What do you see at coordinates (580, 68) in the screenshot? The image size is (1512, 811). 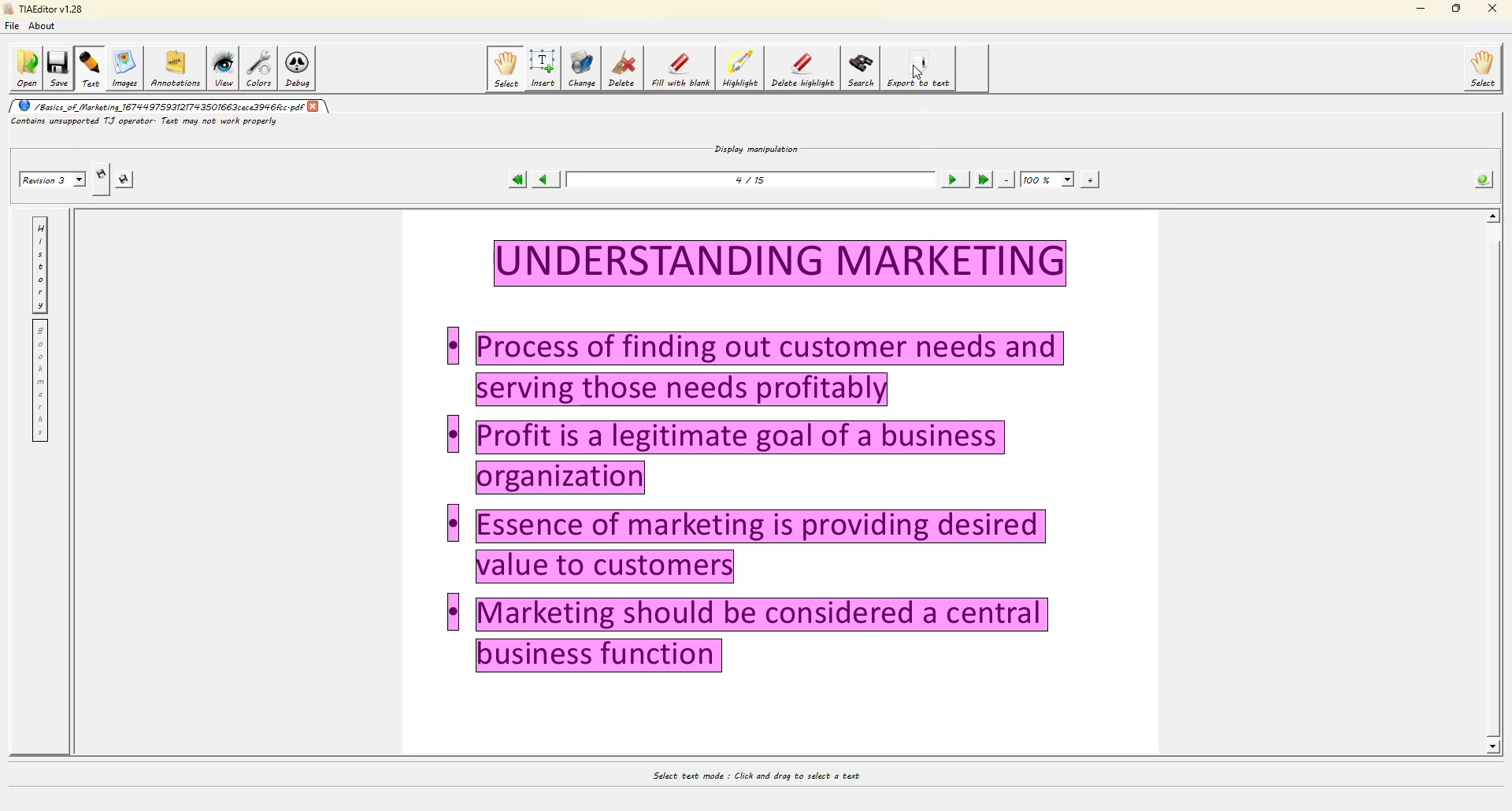 I see `change` at bounding box center [580, 68].